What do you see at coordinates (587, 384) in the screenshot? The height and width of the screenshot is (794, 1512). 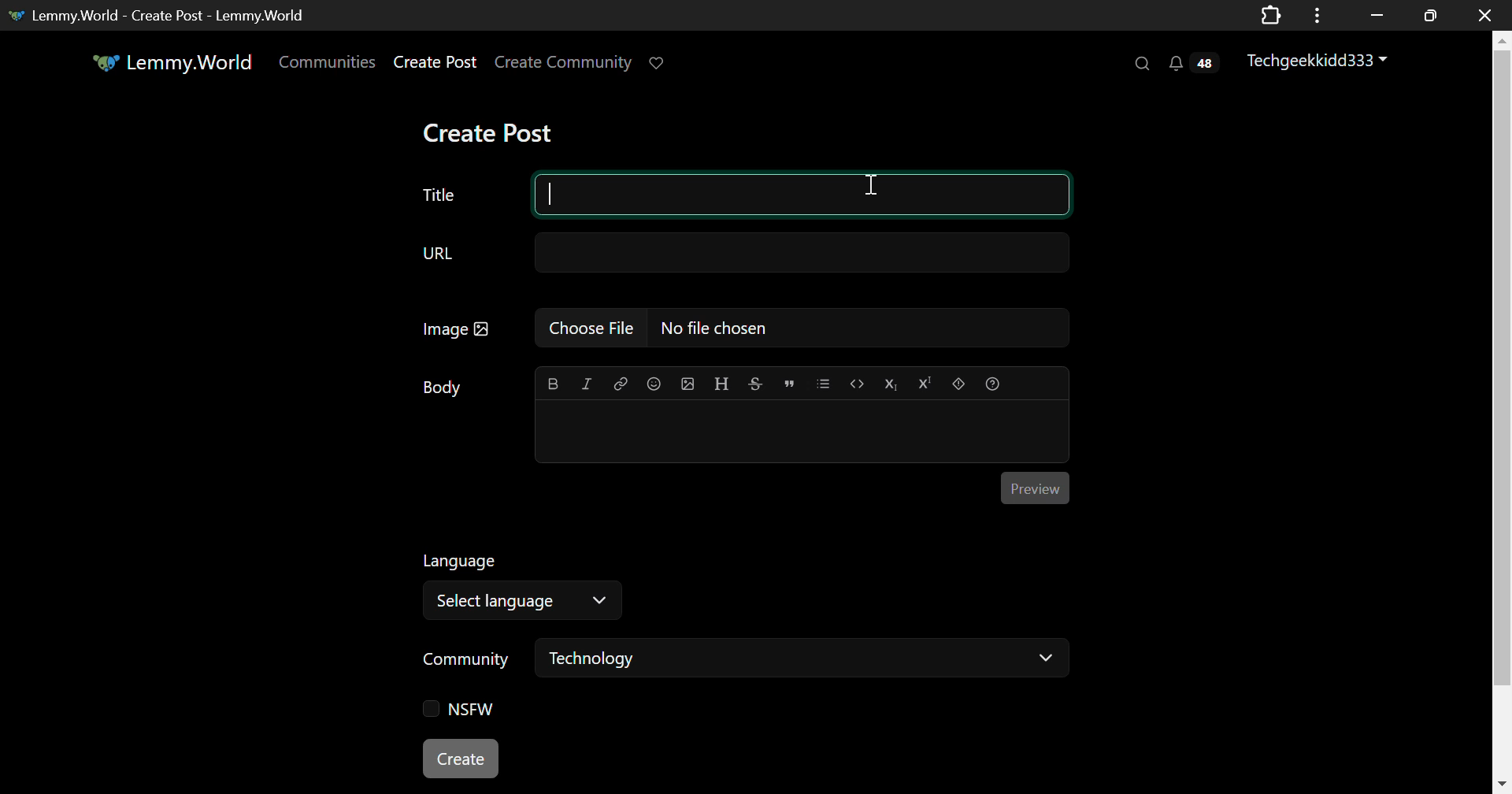 I see `italic` at bounding box center [587, 384].